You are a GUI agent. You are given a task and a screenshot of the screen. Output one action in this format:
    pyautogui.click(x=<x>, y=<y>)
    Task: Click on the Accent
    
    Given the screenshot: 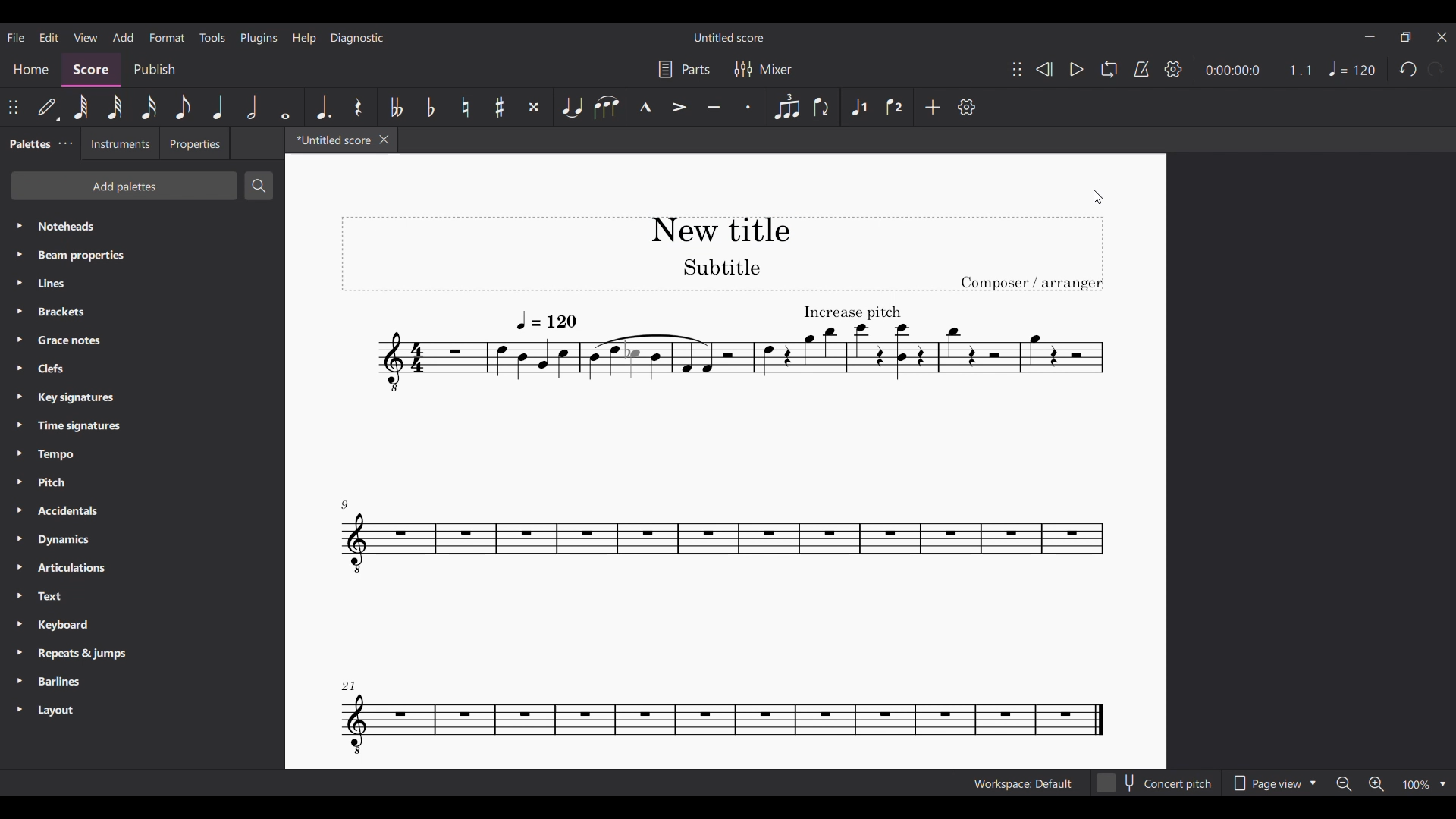 What is the action you would take?
    pyautogui.click(x=679, y=107)
    